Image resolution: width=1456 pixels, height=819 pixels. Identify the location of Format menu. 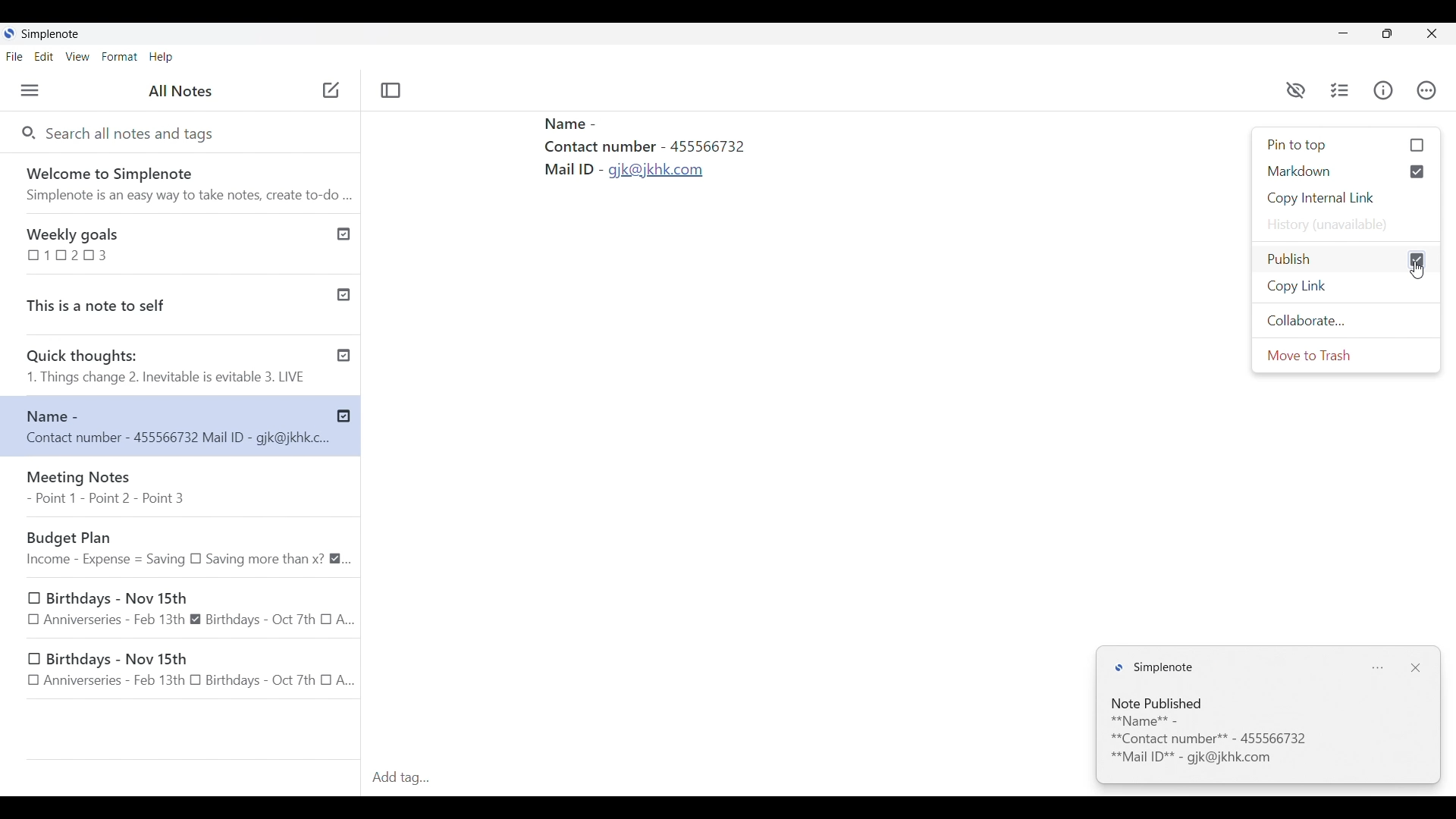
(119, 57).